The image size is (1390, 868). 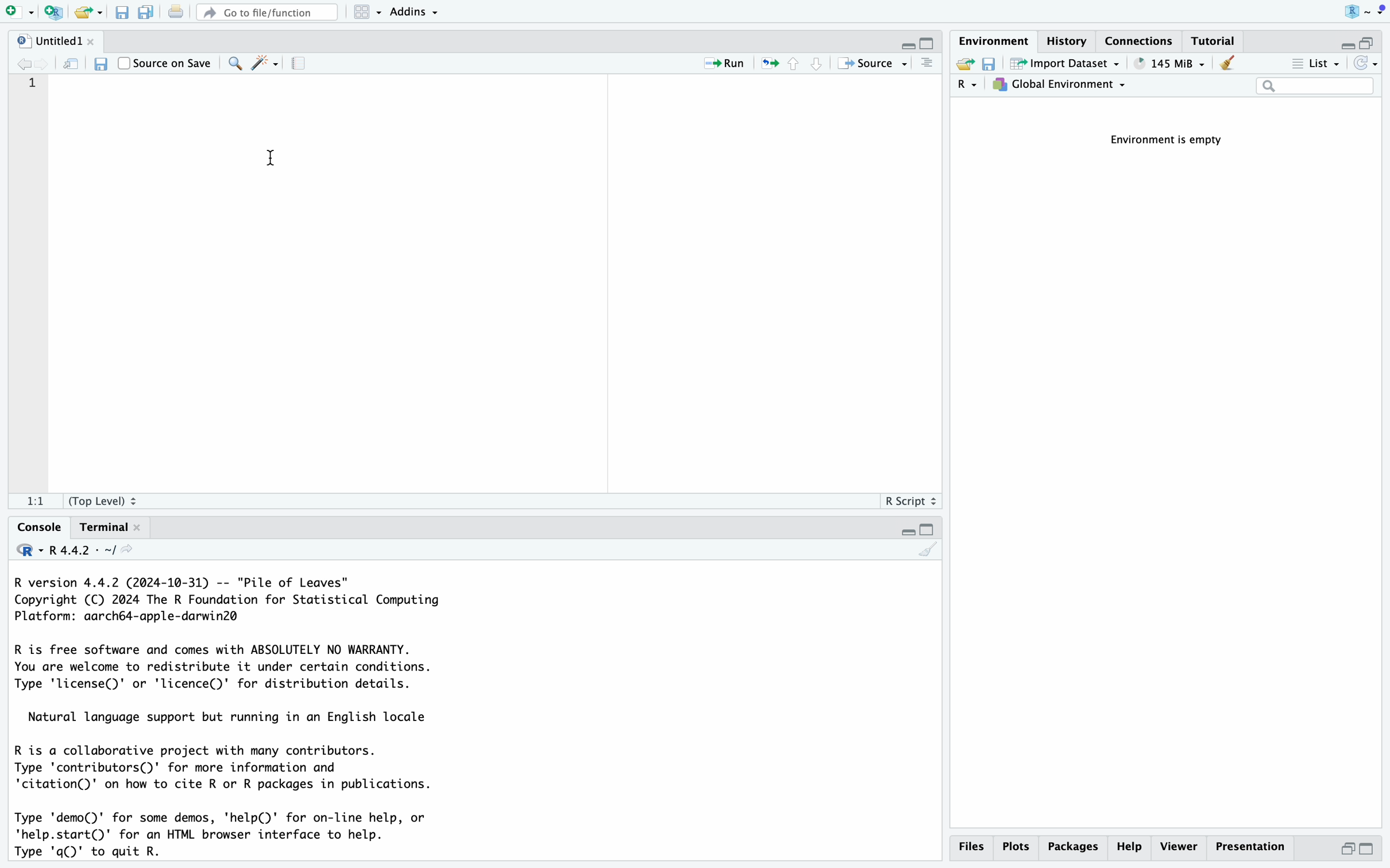 What do you see at coordinates (304, 64) in the screenshot?
I see `compile report` at bounding box center [304, 64].